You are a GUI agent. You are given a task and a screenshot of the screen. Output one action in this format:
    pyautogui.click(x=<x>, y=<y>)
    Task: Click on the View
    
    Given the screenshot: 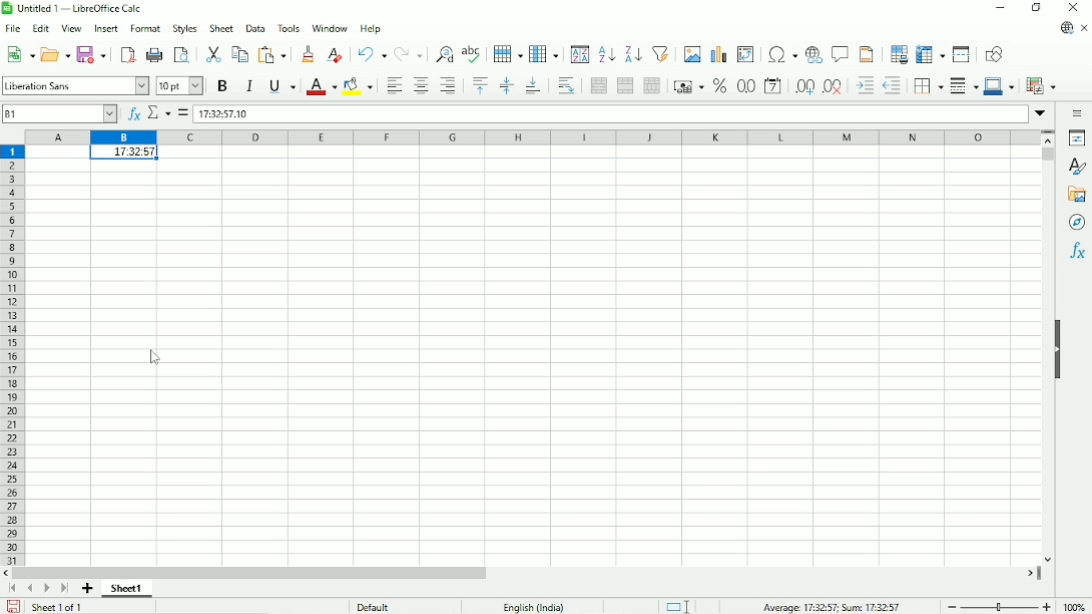 What is the action you would take?
    pyautogui.click(x=70, y=28)
    